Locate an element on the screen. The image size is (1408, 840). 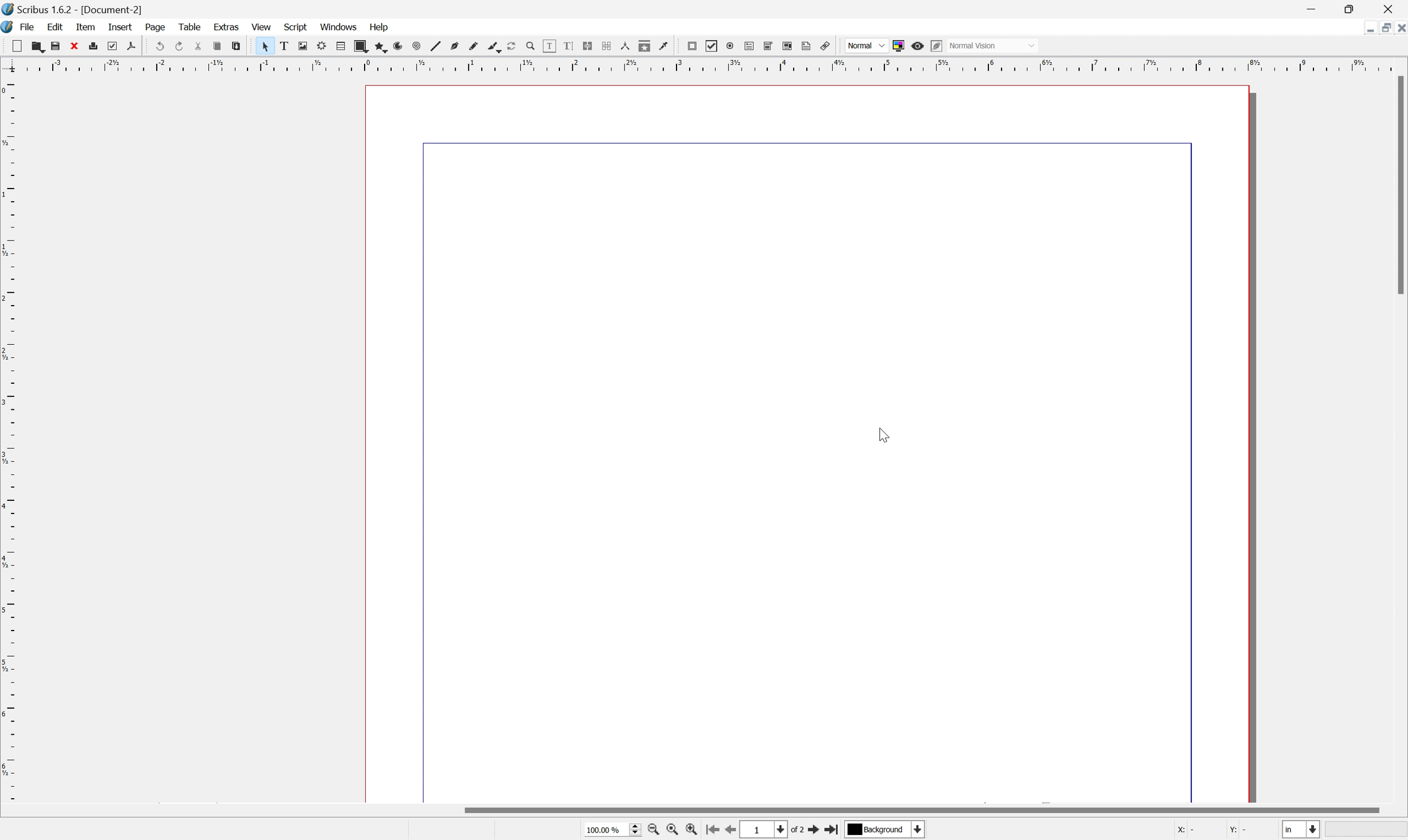
Preview mode is located at coordinates (919, 44).